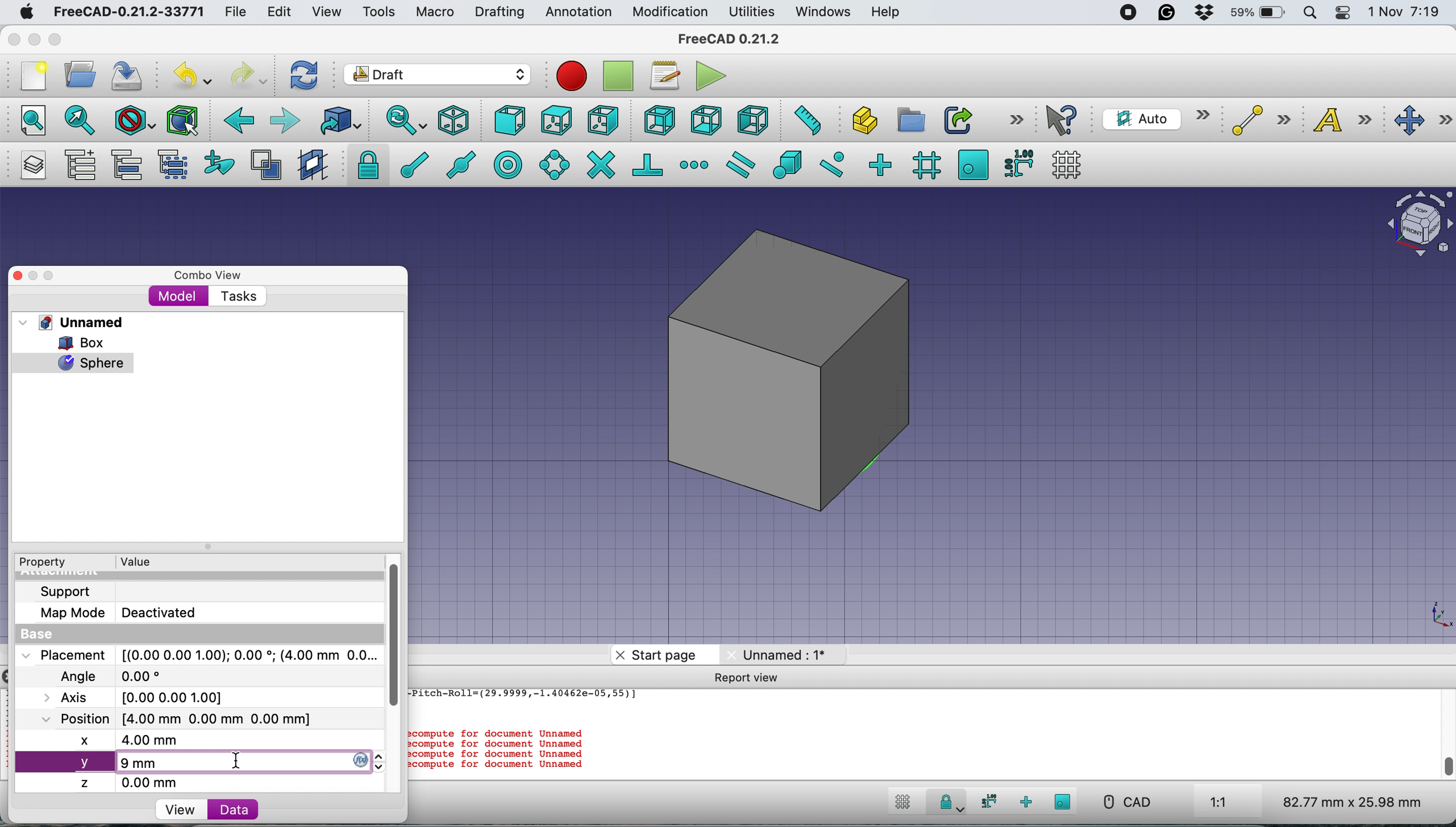  What do you see at coordinates (302, 74) in the screenshot?
I see `refresh` at bounding box center [302, 74].